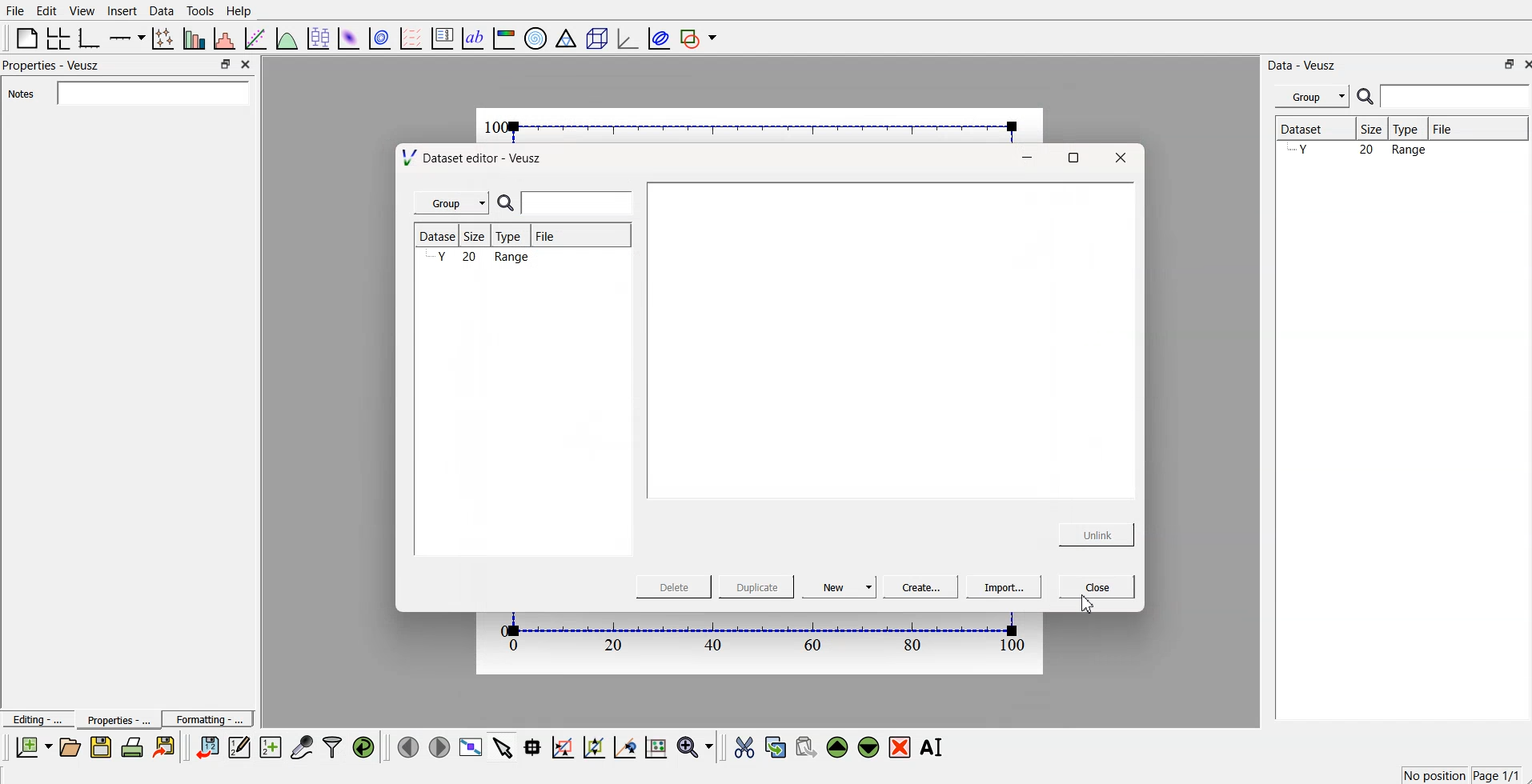 The height and width of the screenshot is (784, 1532). Describe the element at coordinates (807, 745) in the screenshot. I see `paste` at that location.